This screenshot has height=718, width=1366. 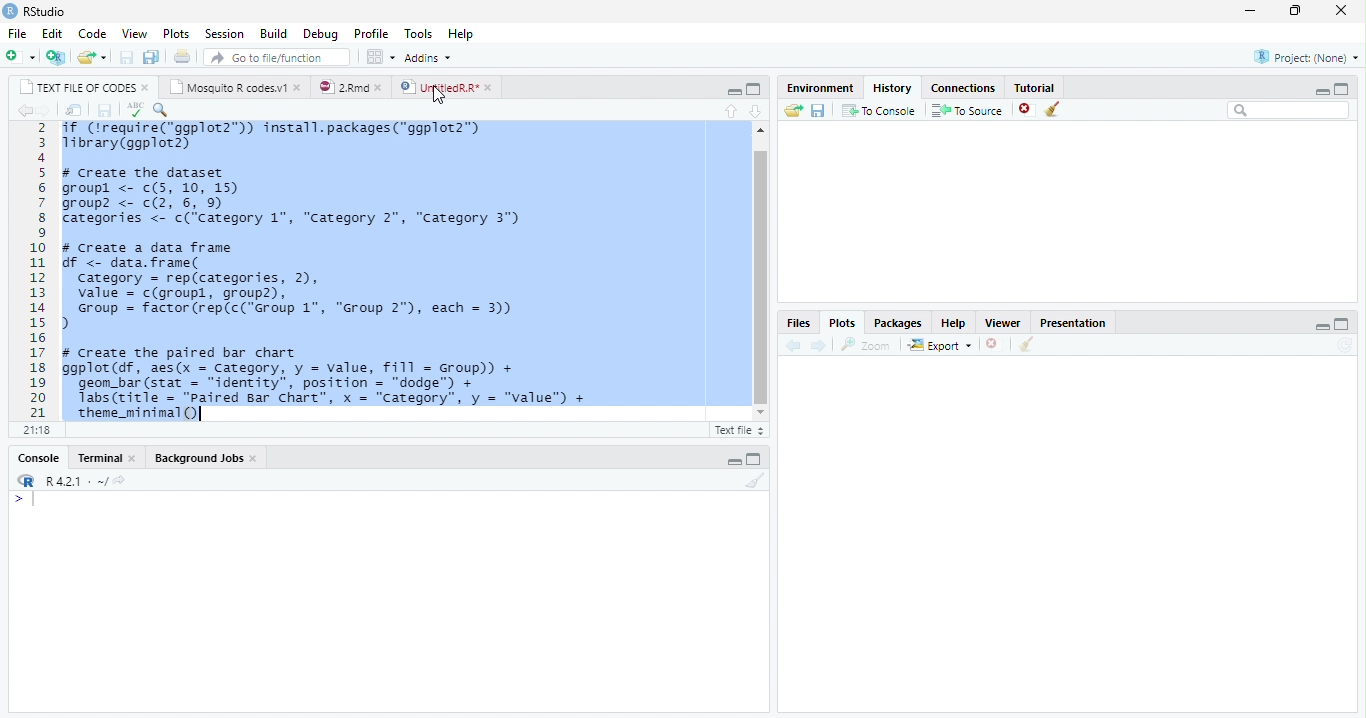 I want to click on close, so click(x=133, y=457).